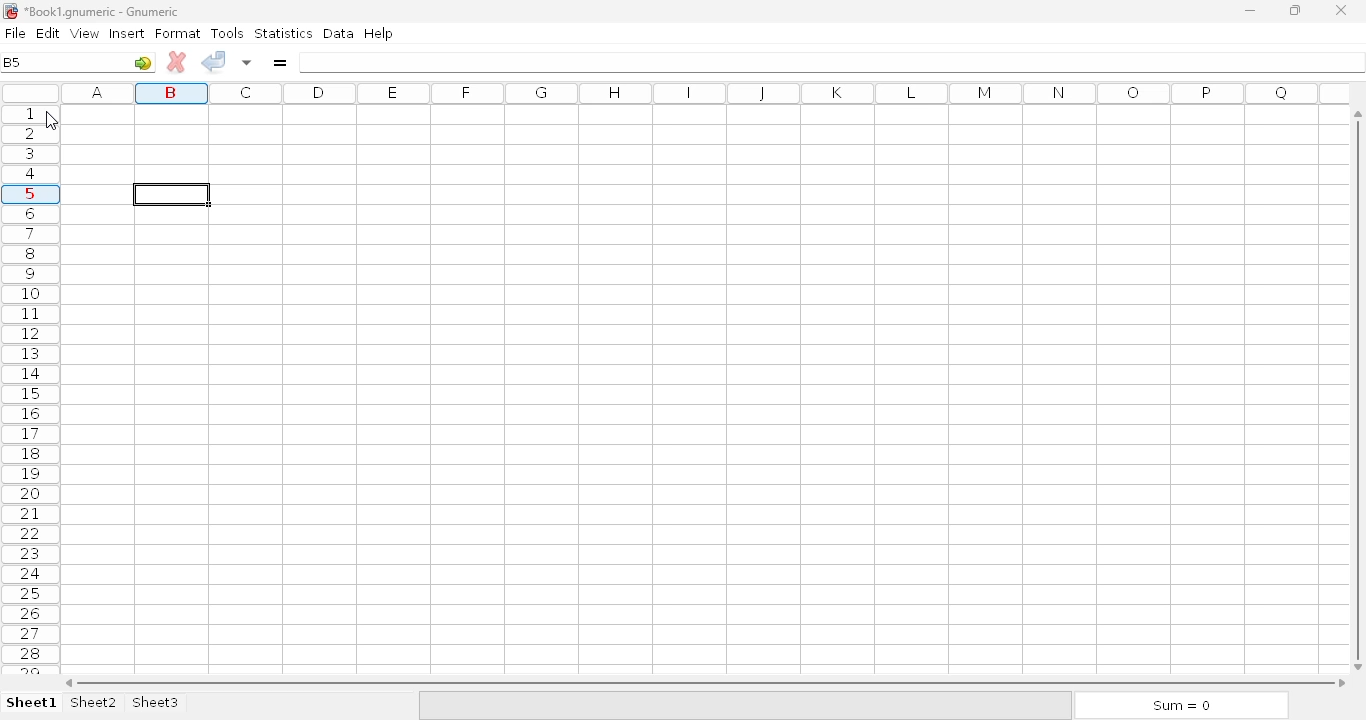 The image size is (1366, 720). I want to click on view, so click(85, 33).